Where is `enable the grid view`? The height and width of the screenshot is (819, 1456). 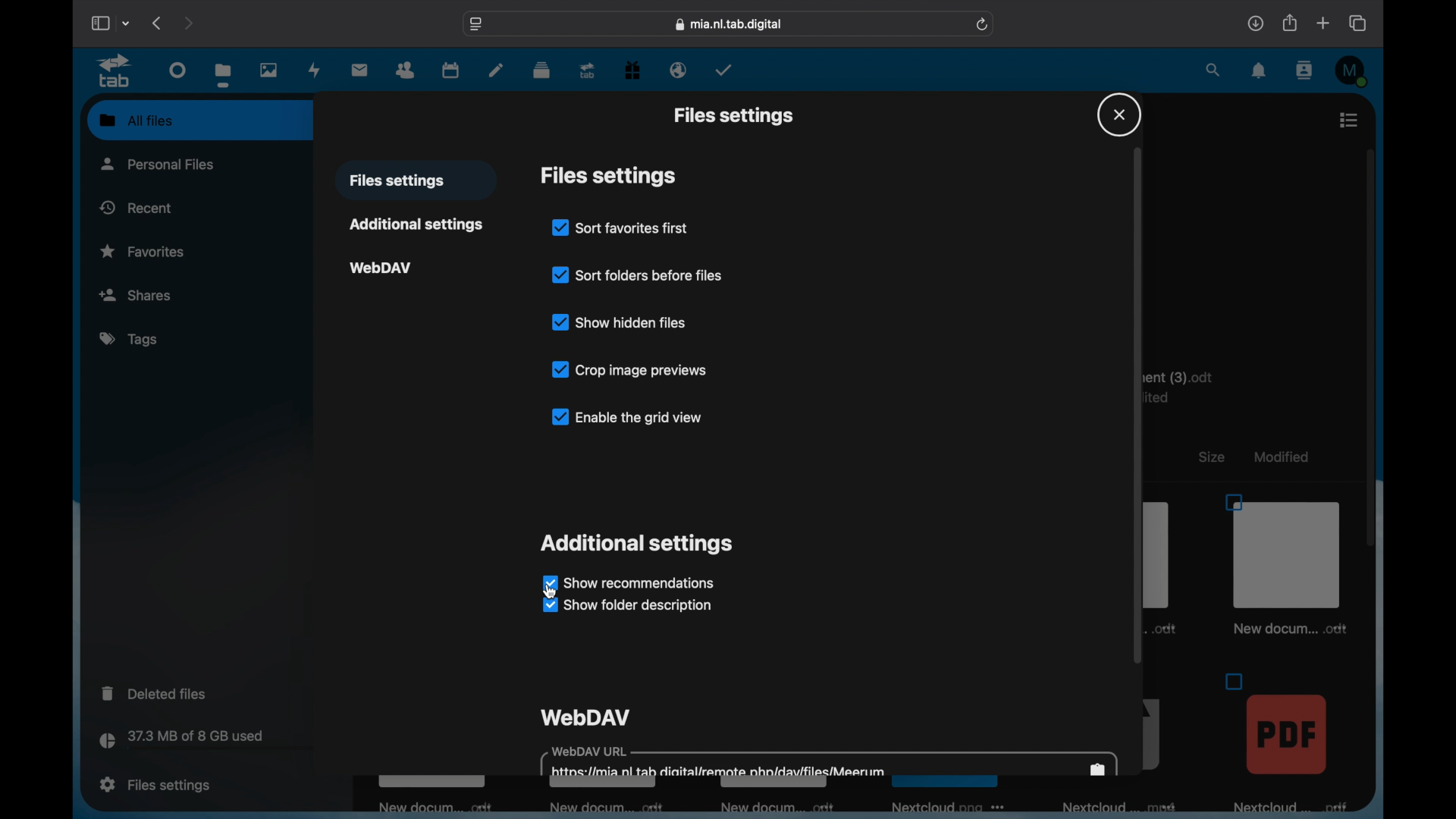 enable the grid view is located at coordinates (625, 416).